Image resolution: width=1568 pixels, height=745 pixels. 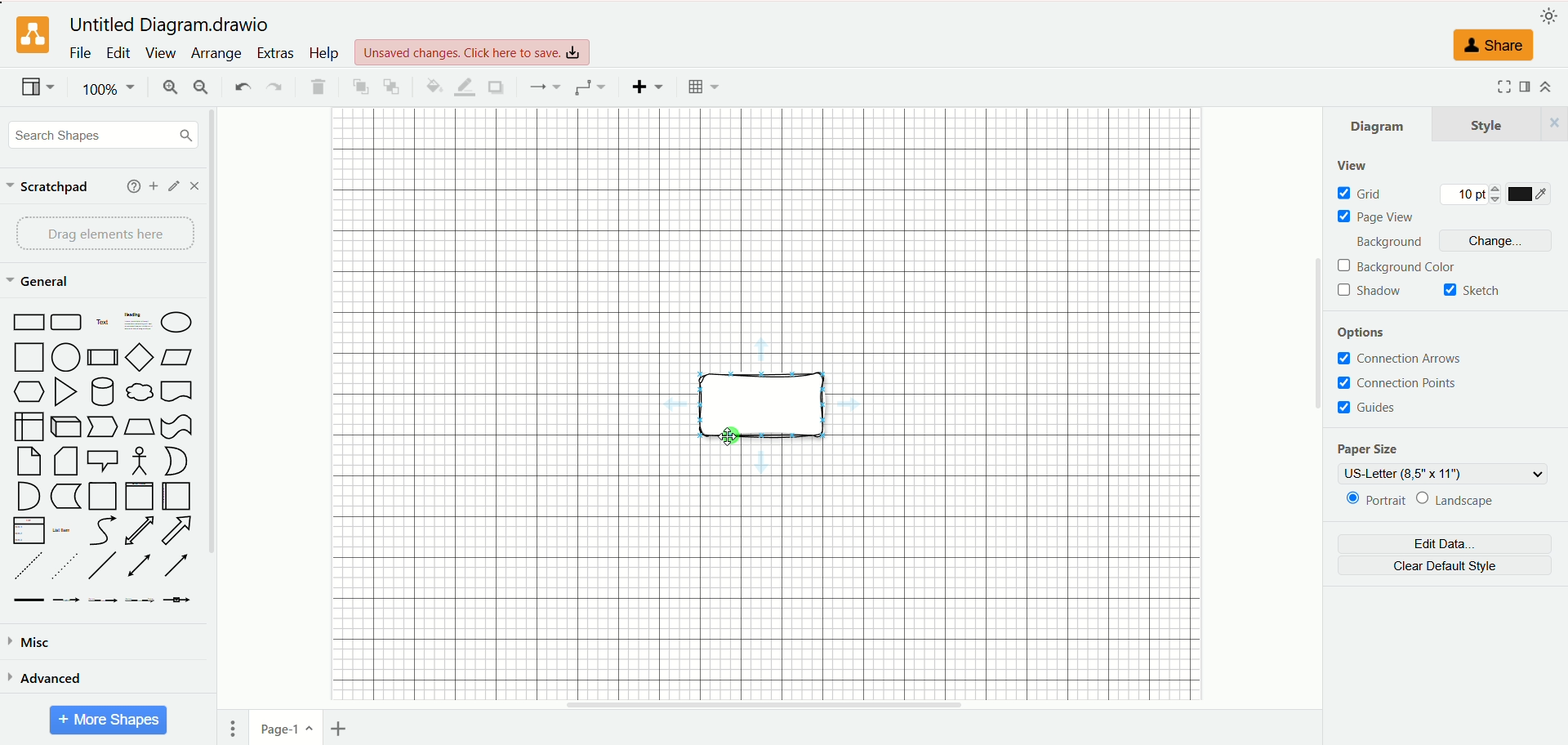 What do you see at coordinates (173, 25) in the screenshot?
I see `title` at bounding box center [173, 25].